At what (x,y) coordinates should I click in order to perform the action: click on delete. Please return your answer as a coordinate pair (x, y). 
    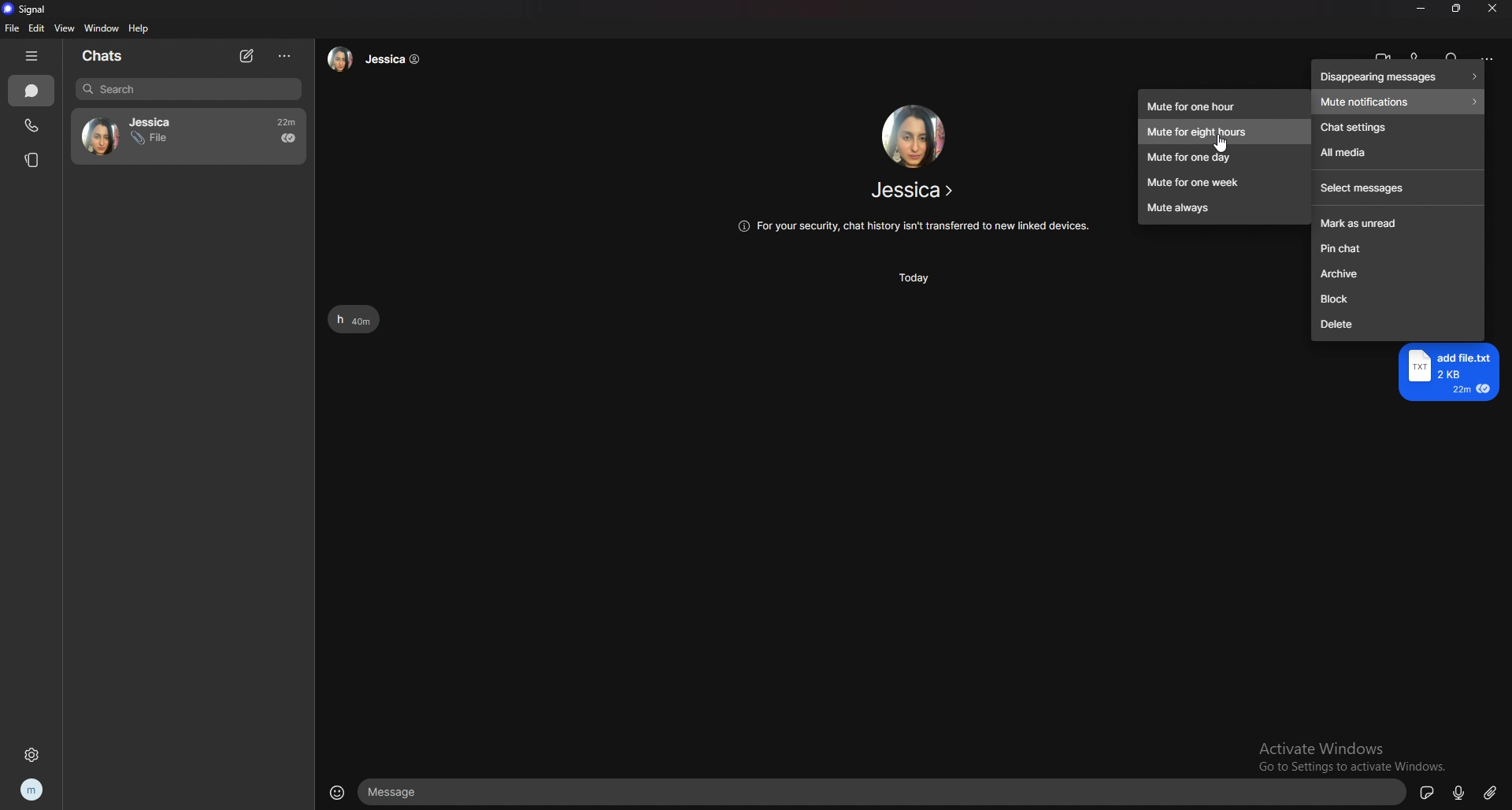
    Looking at the image, I should click on (1398, 326).